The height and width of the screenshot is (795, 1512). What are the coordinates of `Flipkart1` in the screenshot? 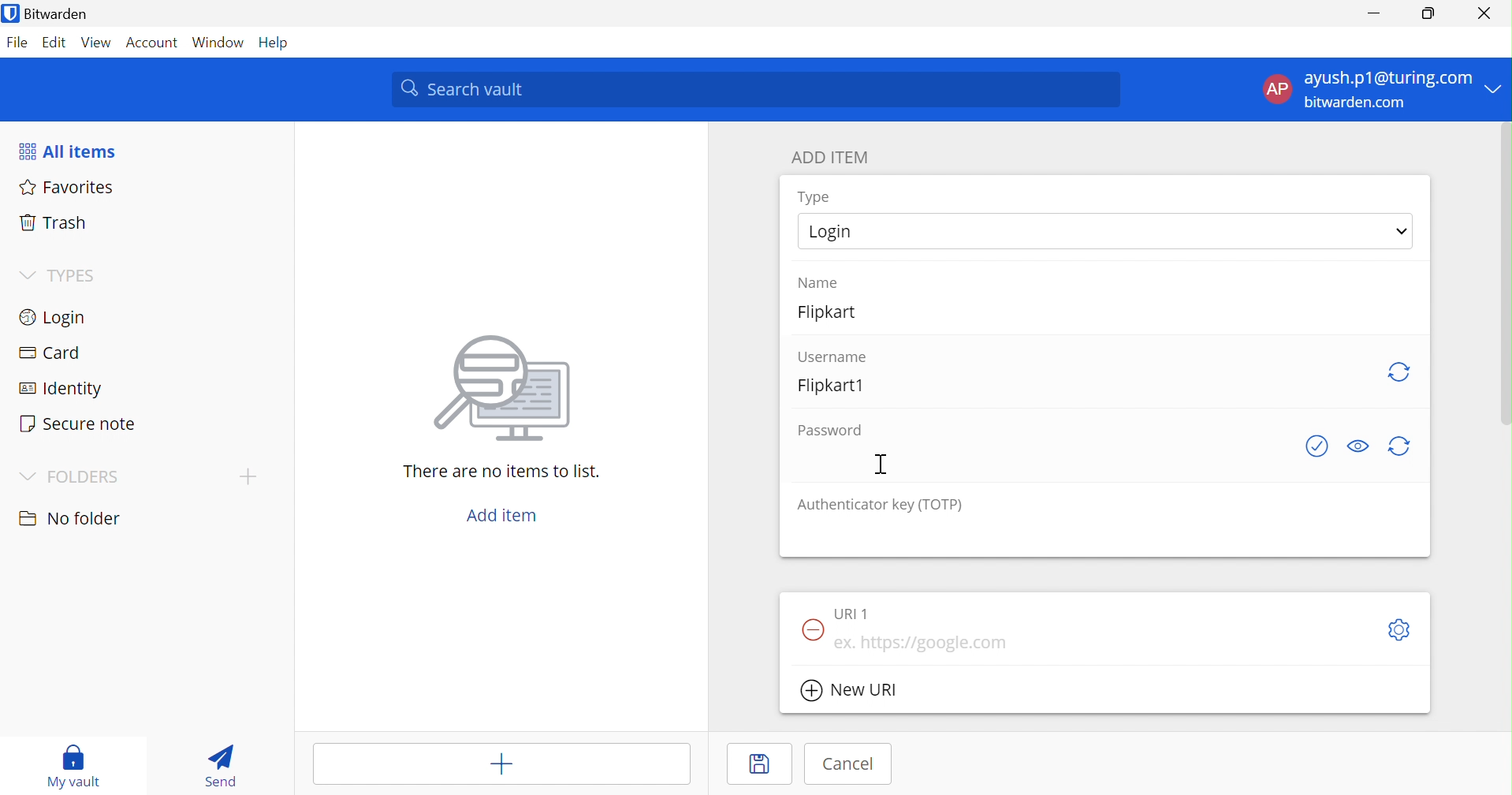 It's located at (837, 385).